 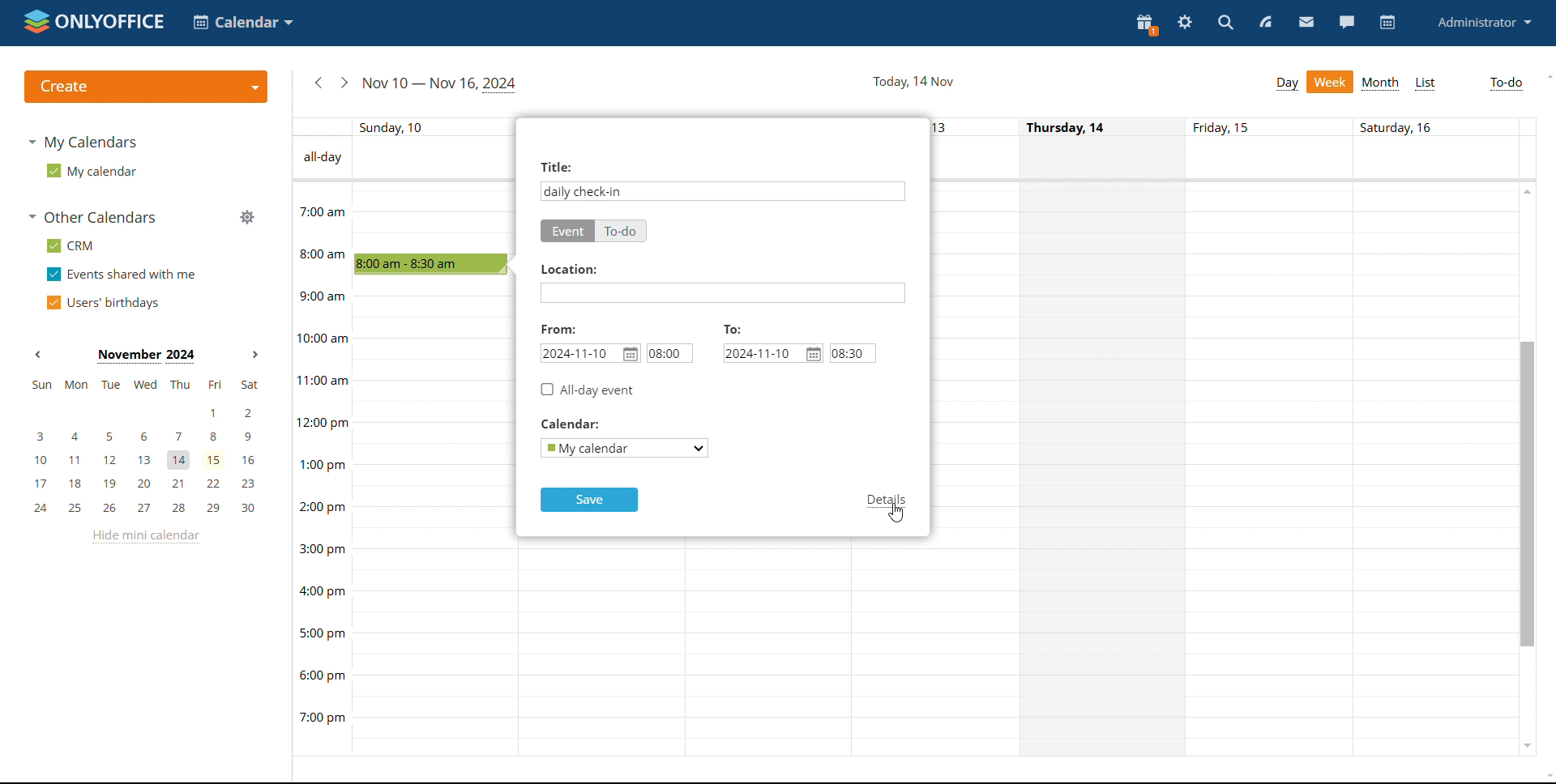 I want to click on list view, so click(x=1426, y=84).